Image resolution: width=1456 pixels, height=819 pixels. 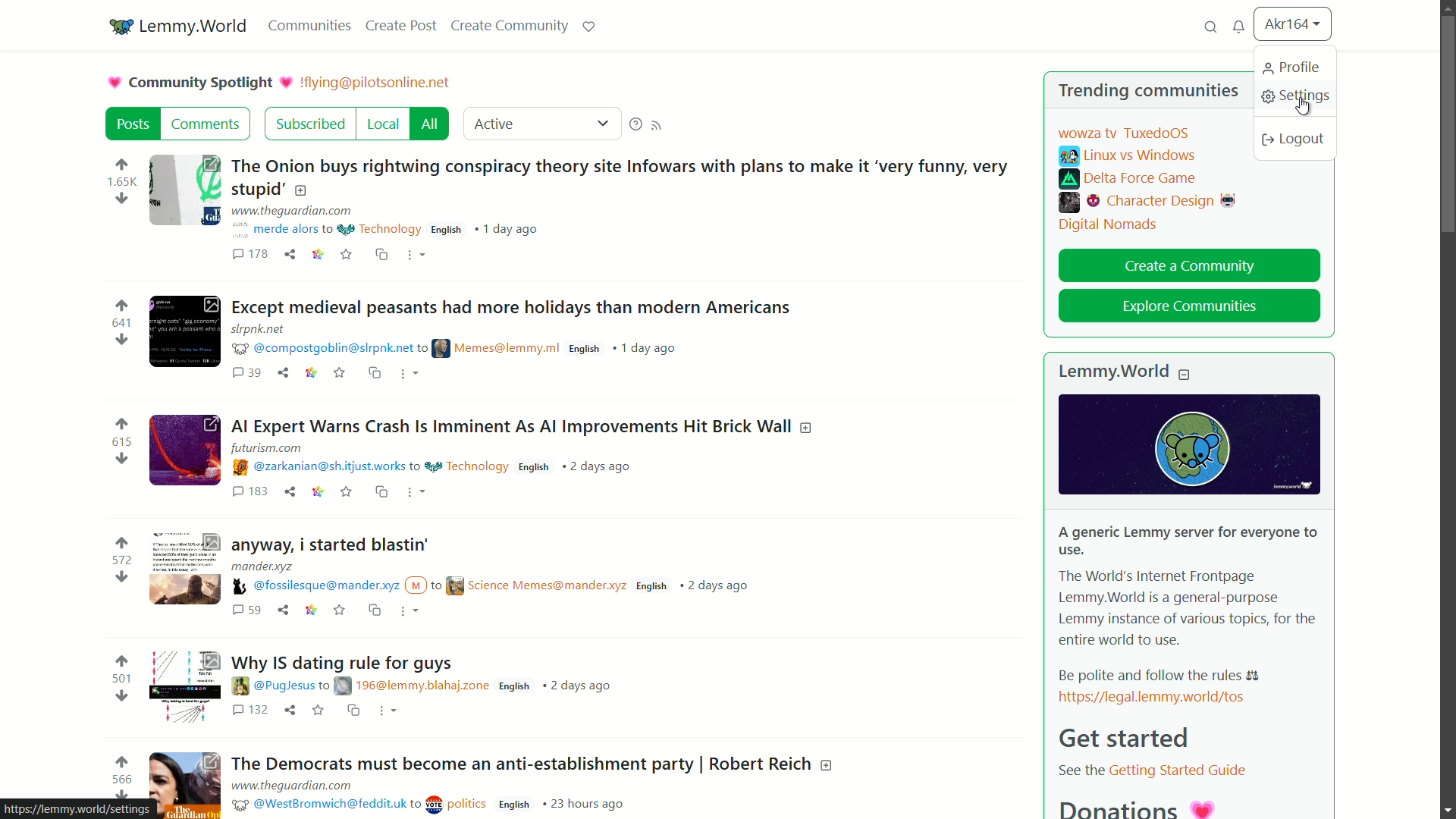 I want to click on post details, so click(x=464, y=337).